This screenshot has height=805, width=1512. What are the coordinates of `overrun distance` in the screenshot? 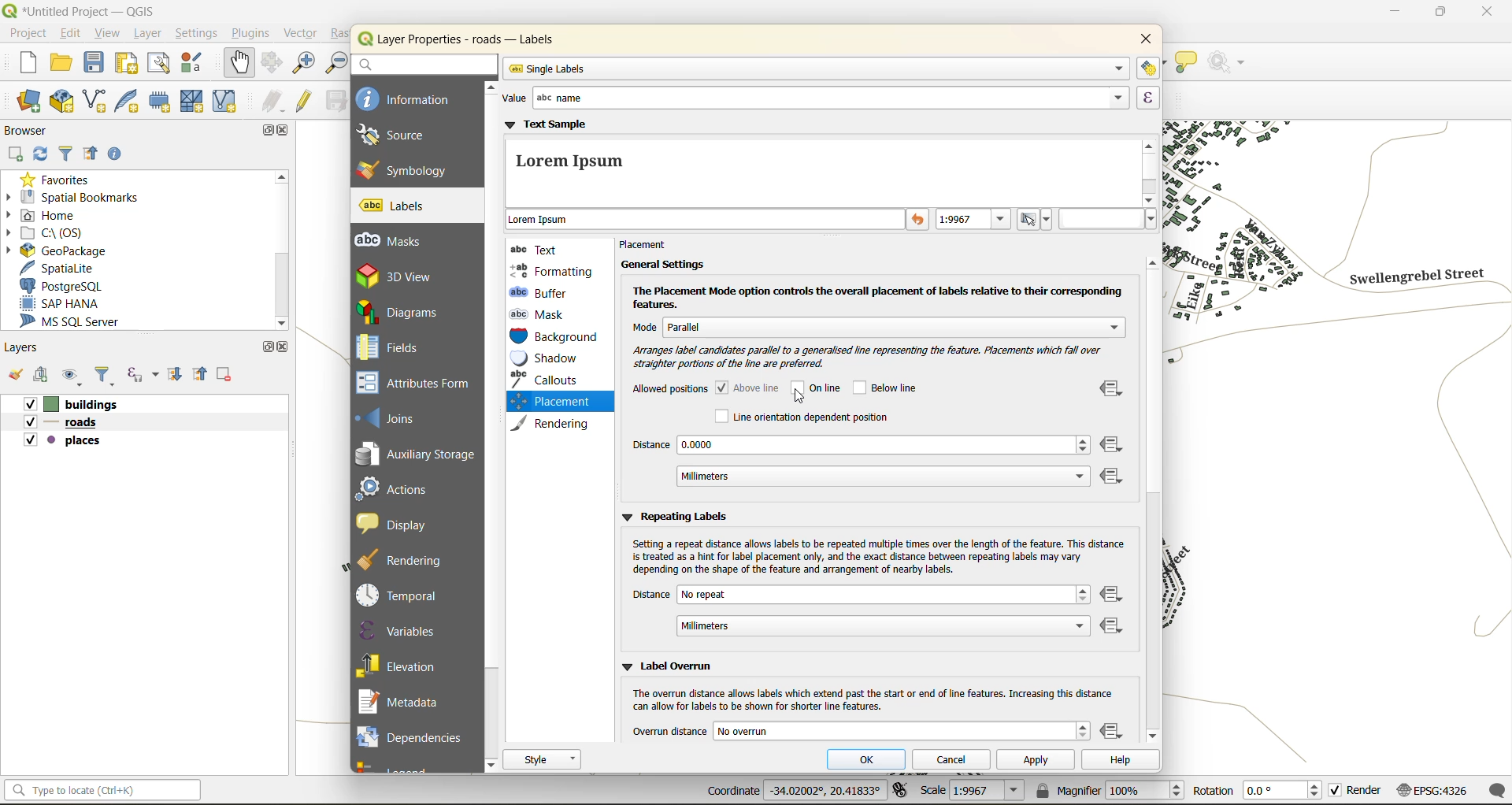 It's located at (860, 730).